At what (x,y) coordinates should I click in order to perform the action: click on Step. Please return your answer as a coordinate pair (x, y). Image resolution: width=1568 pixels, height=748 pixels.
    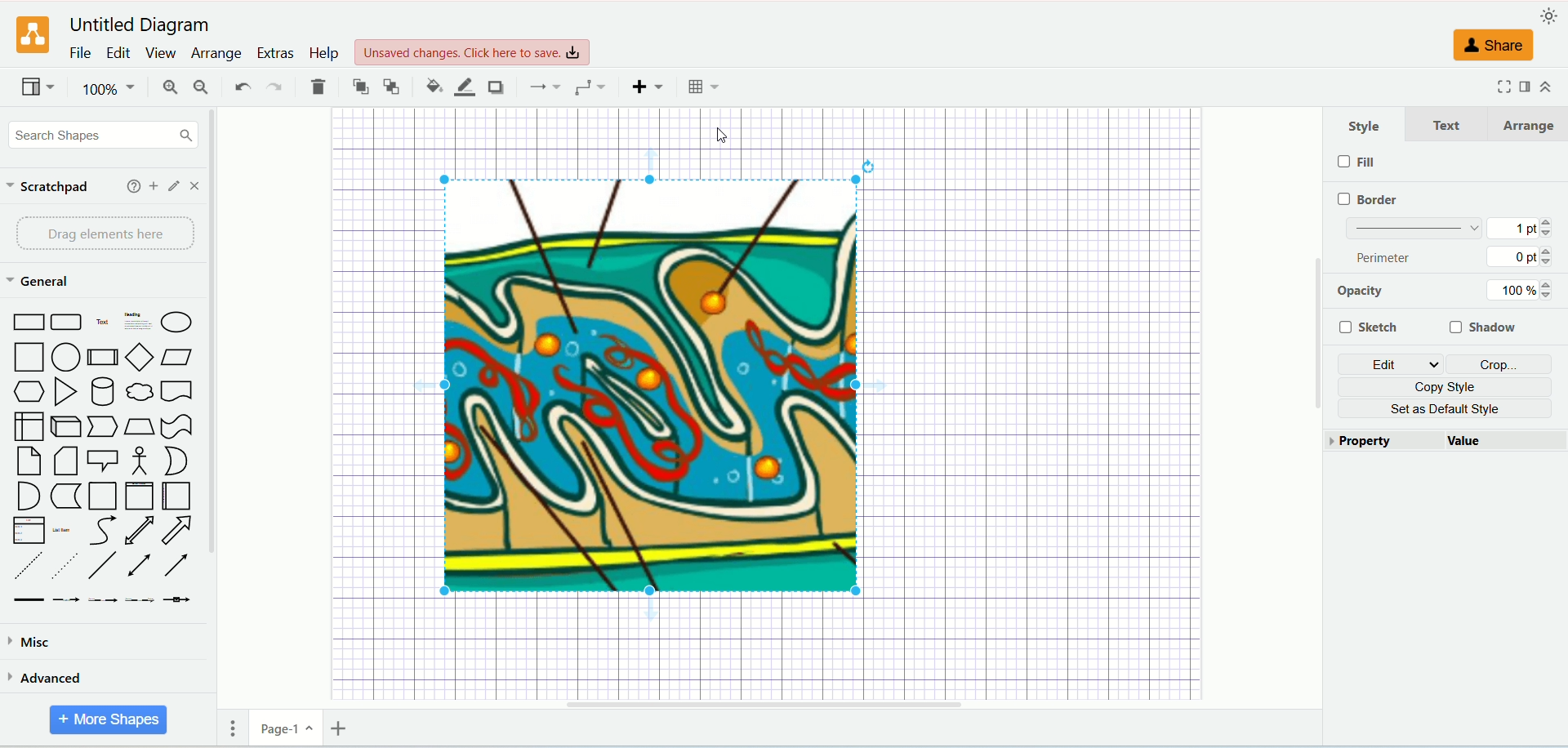
    Looking at the image, I should click on (103, 427).